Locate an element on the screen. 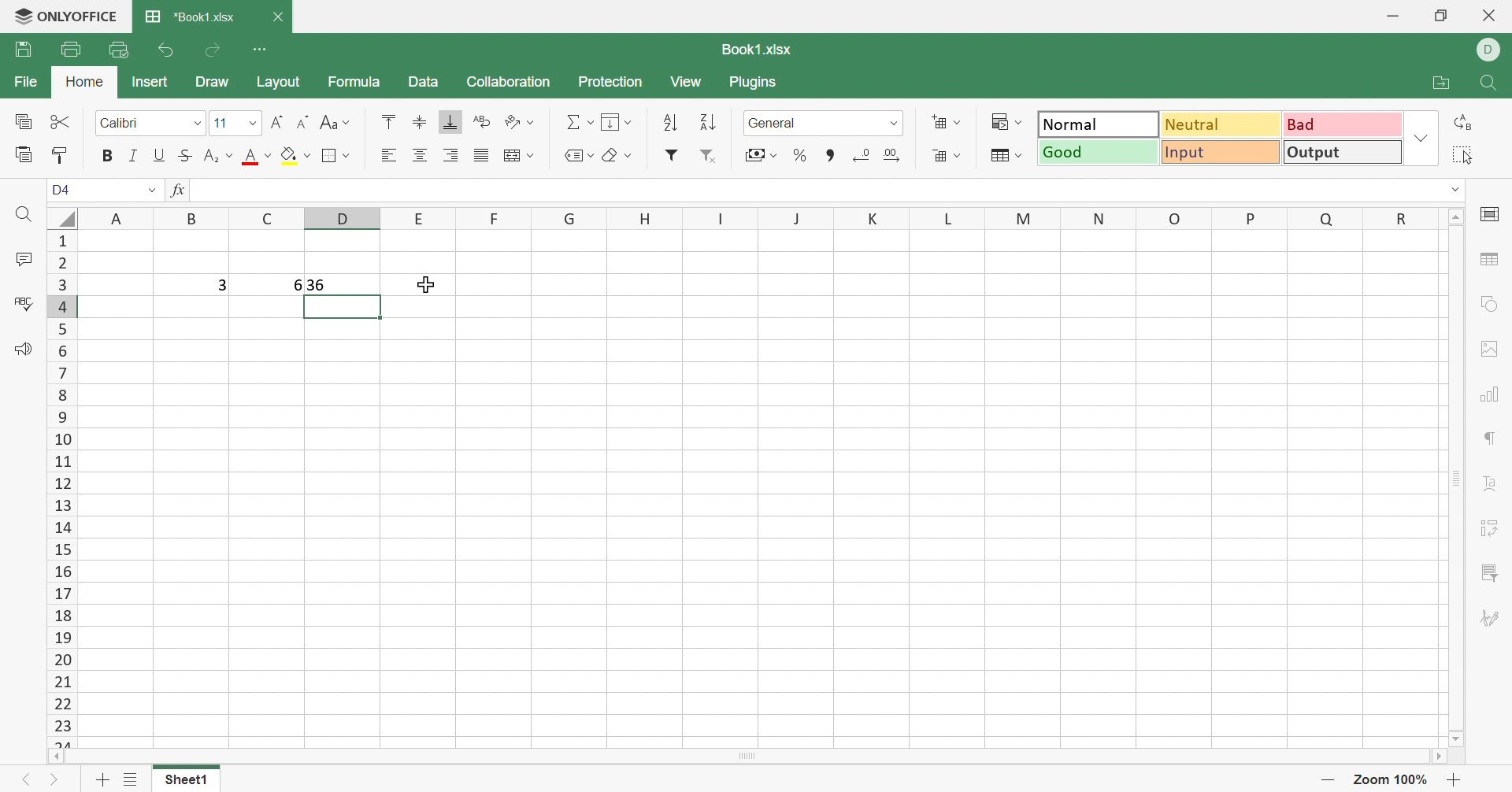 This screenshot has height=792, width=1512. Sort ascending is located at coordinates (672, 124).